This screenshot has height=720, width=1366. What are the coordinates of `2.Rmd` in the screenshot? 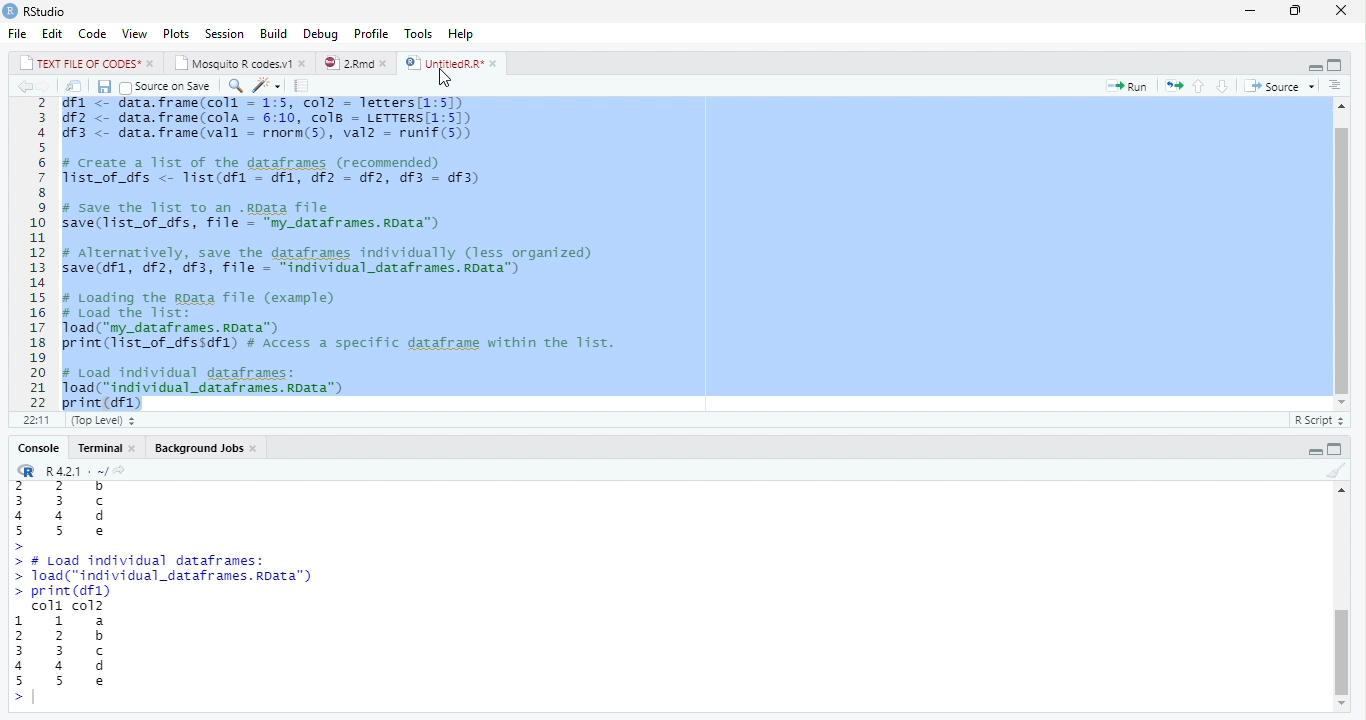 It's located at (355, 63).